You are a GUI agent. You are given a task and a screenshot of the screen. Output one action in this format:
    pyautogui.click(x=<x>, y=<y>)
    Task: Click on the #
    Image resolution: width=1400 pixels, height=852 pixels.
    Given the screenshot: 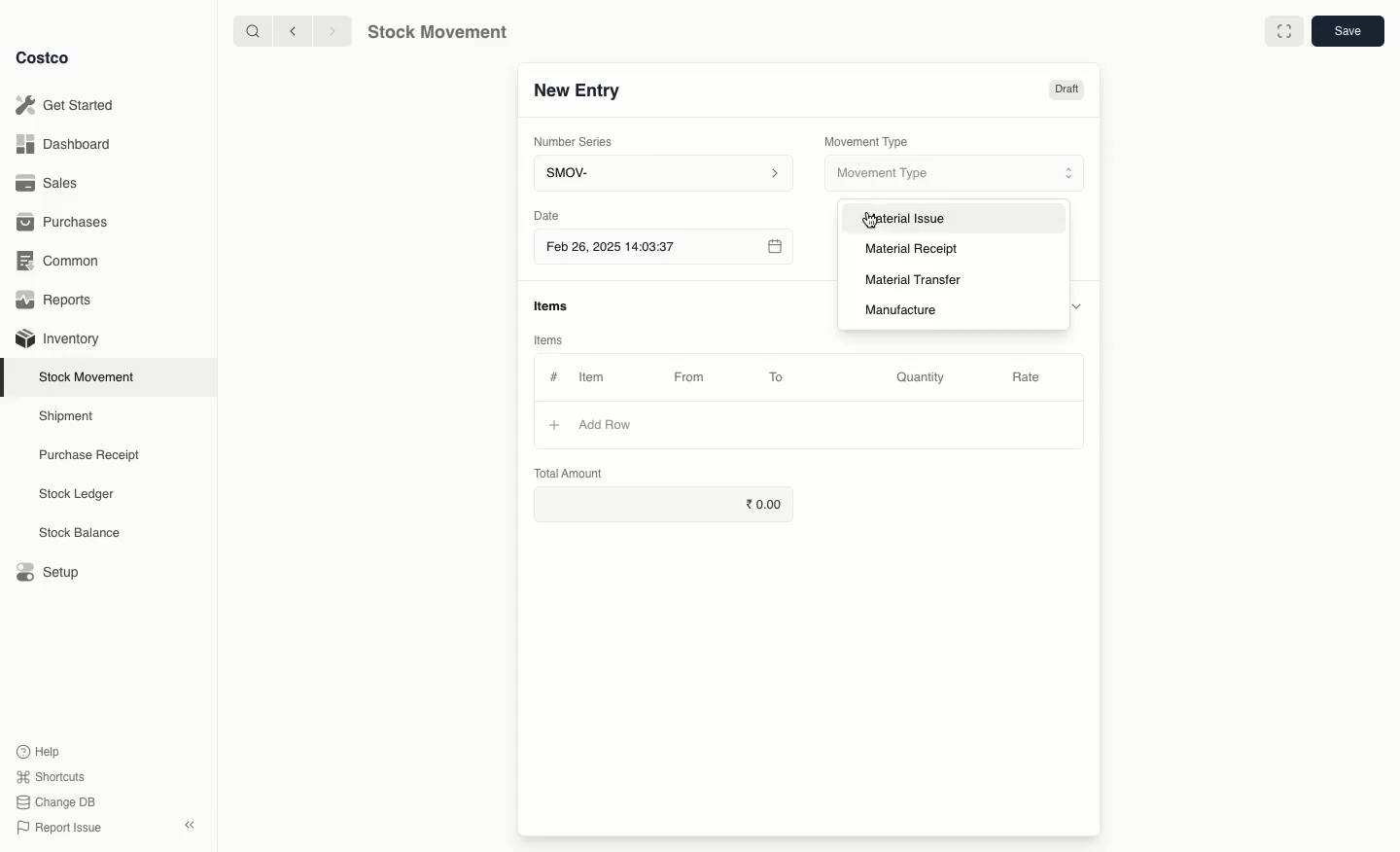 What is the action you would take?
    pyautogui.click(x=554, y=377)
    